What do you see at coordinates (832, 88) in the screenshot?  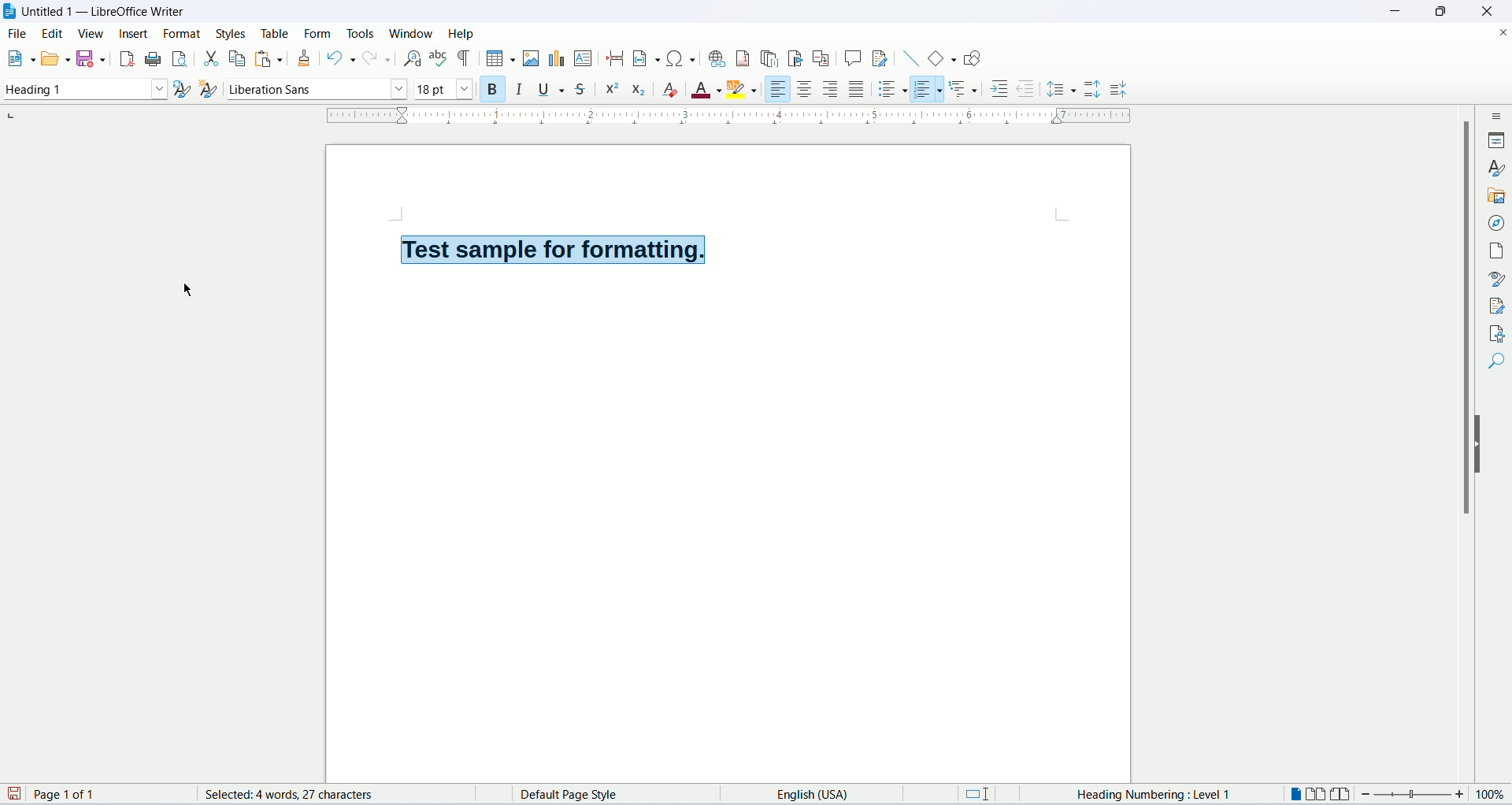 I see `align right` at bounding box center [832, 88].